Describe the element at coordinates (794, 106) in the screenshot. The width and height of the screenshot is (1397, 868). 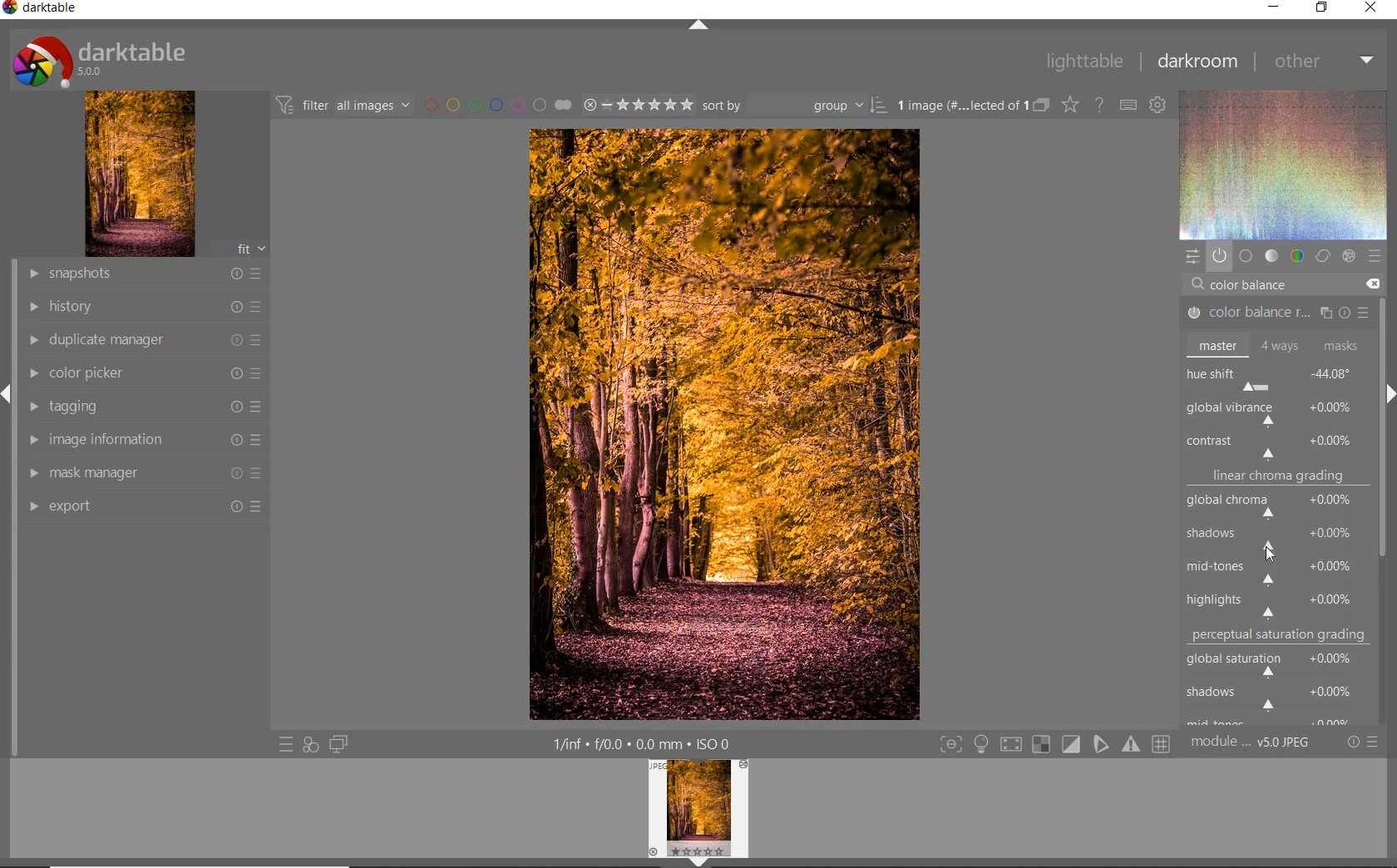
I see `sort` at that location.